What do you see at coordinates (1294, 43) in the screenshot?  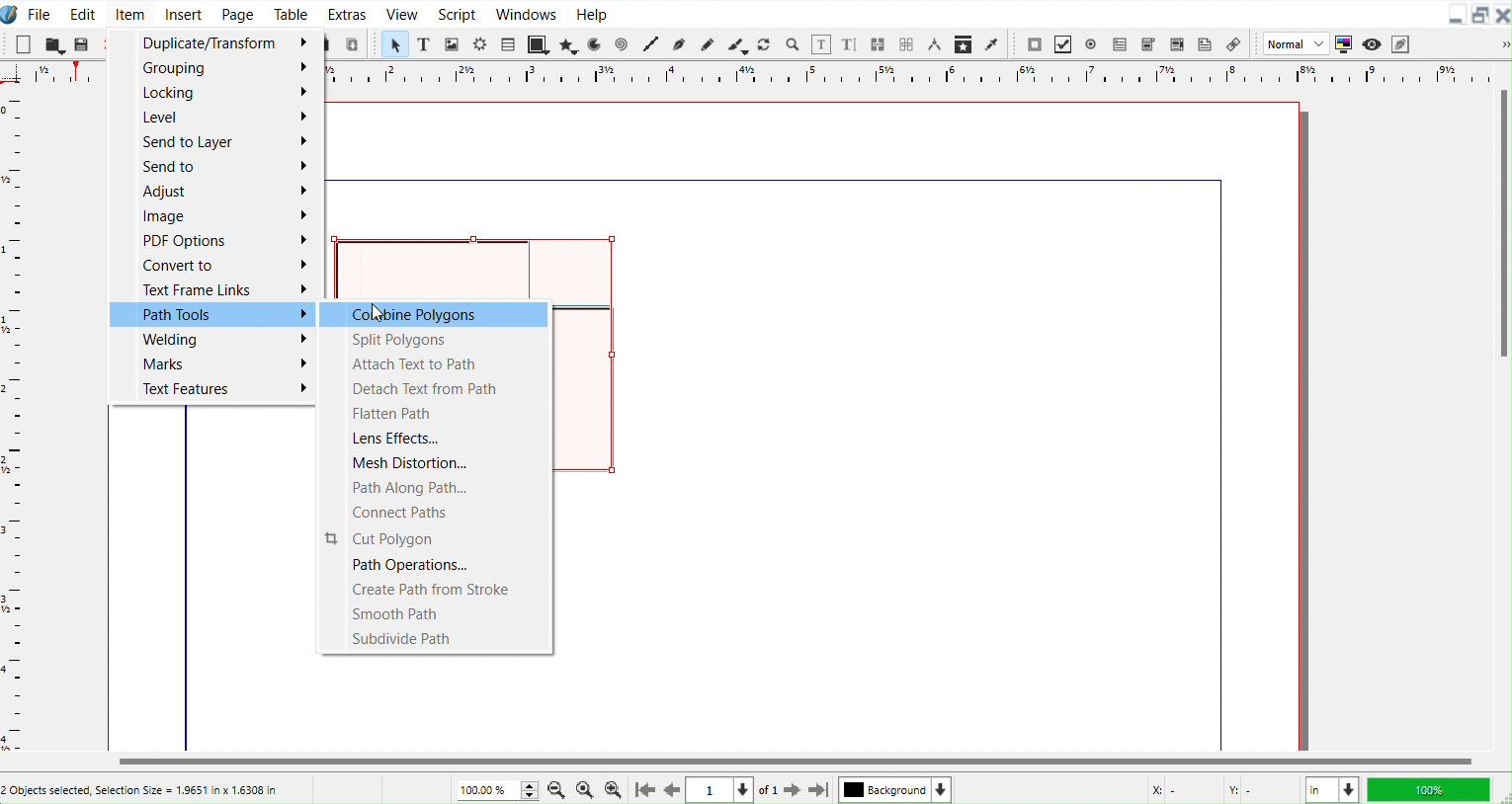 I see `Normal` at bounding box center [1294, 43].